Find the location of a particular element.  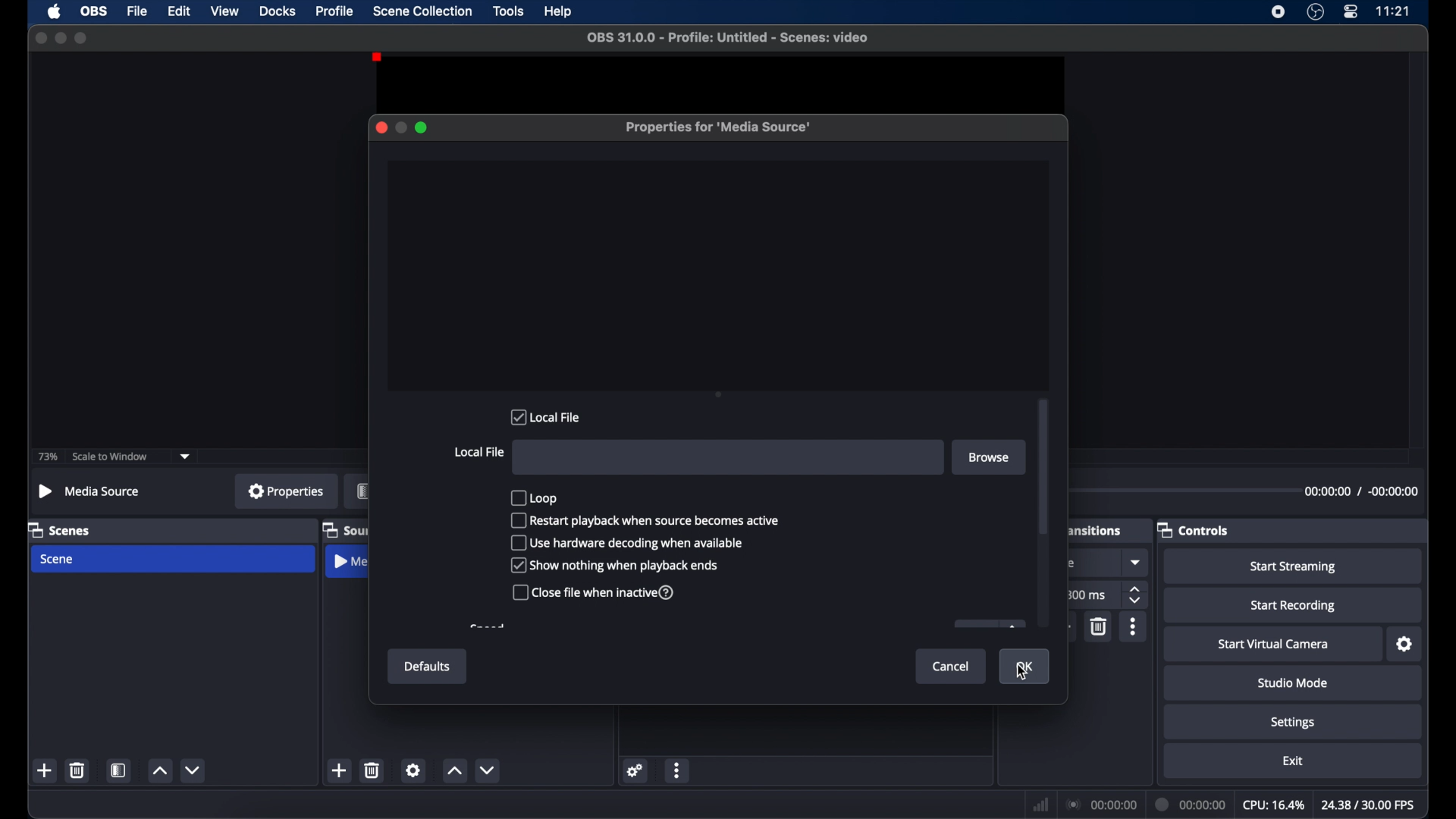

add is located at coordinates (340, 770).